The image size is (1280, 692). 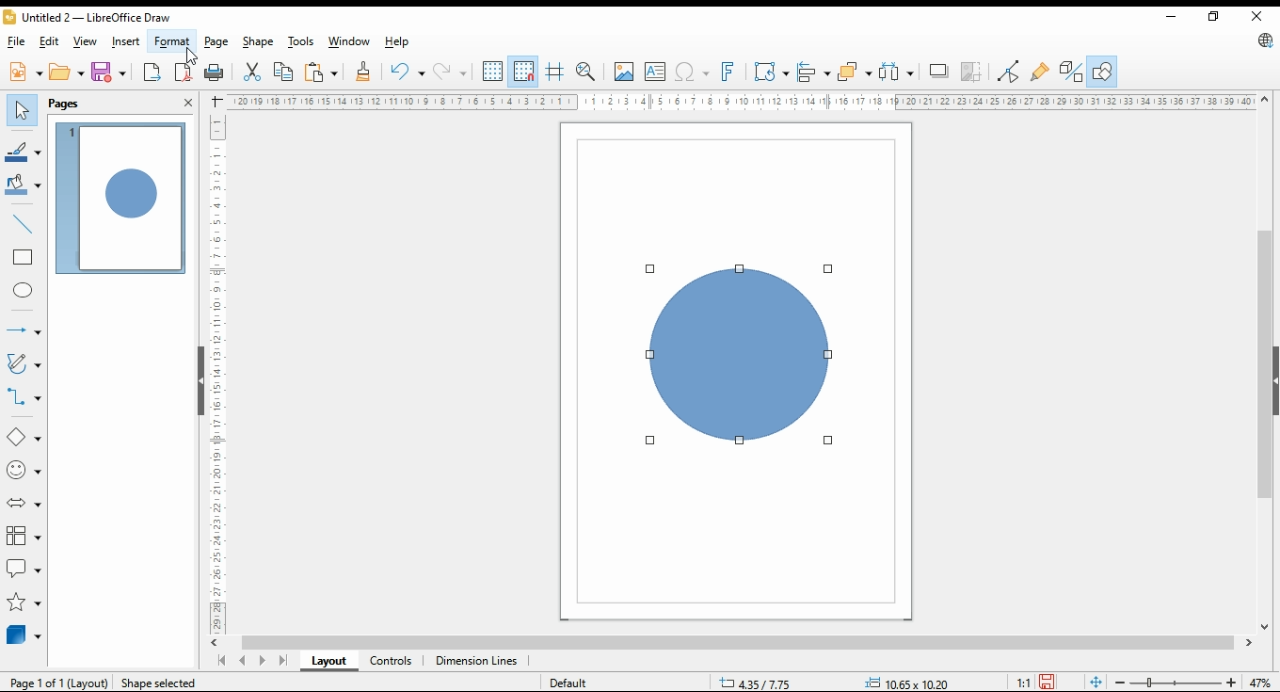 I want to click on ellipse, so click(x=22, y=290).